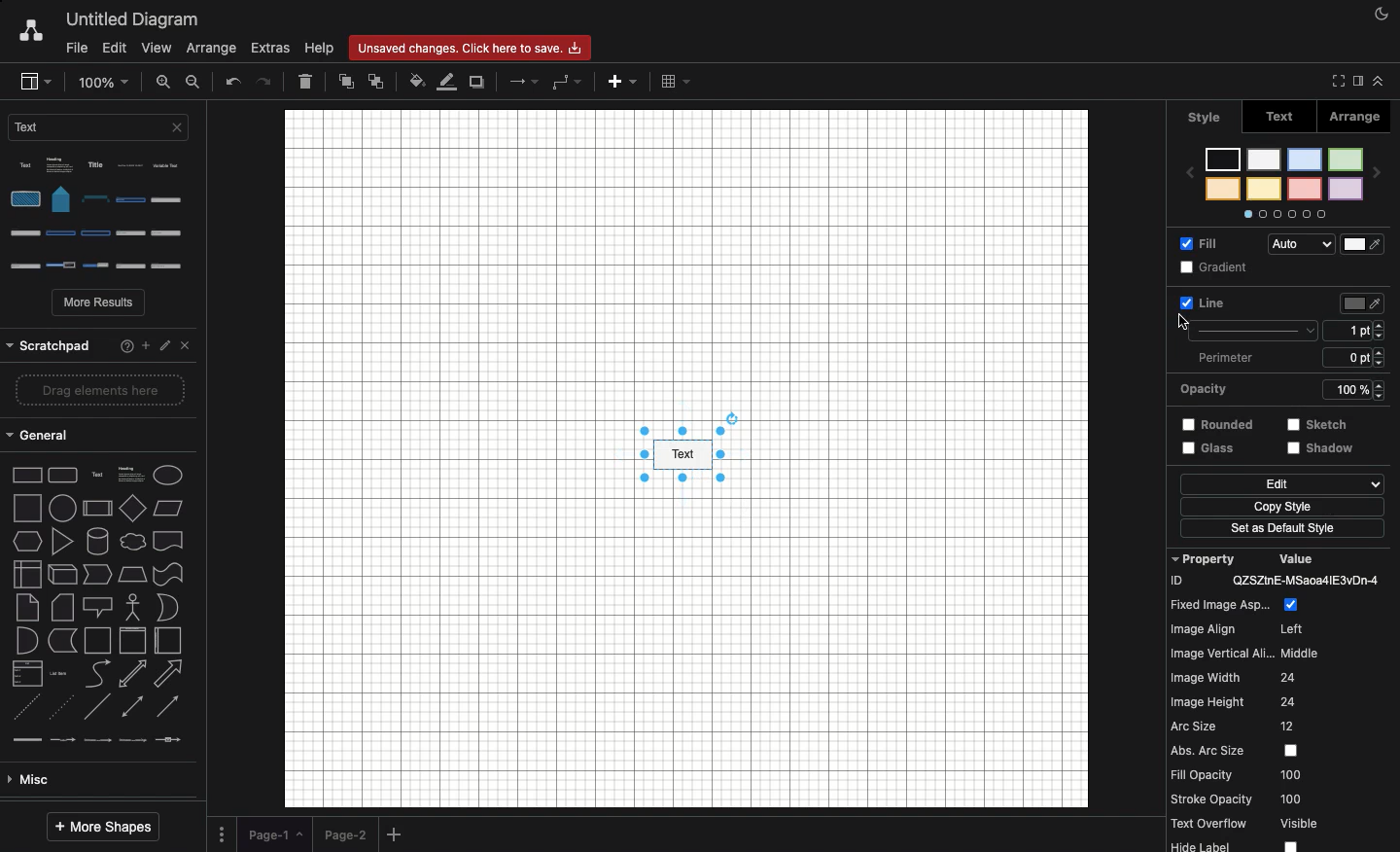 This screenshot has width=1400, height=852. Describe the element at coordinates (475, 47) in the screenshot. I see `changes` at that location.